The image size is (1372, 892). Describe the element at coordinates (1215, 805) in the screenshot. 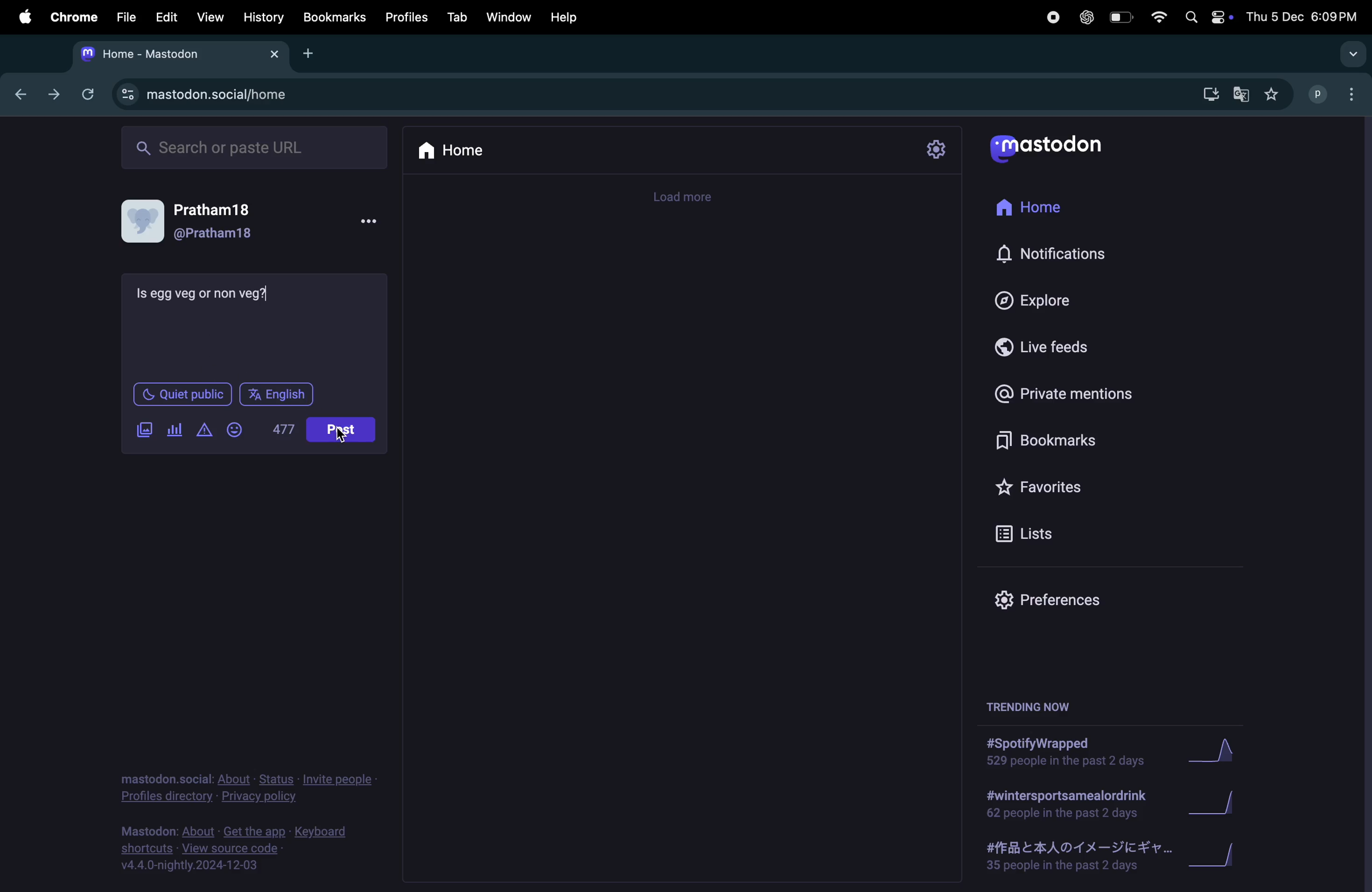

I see `graph` at that location.